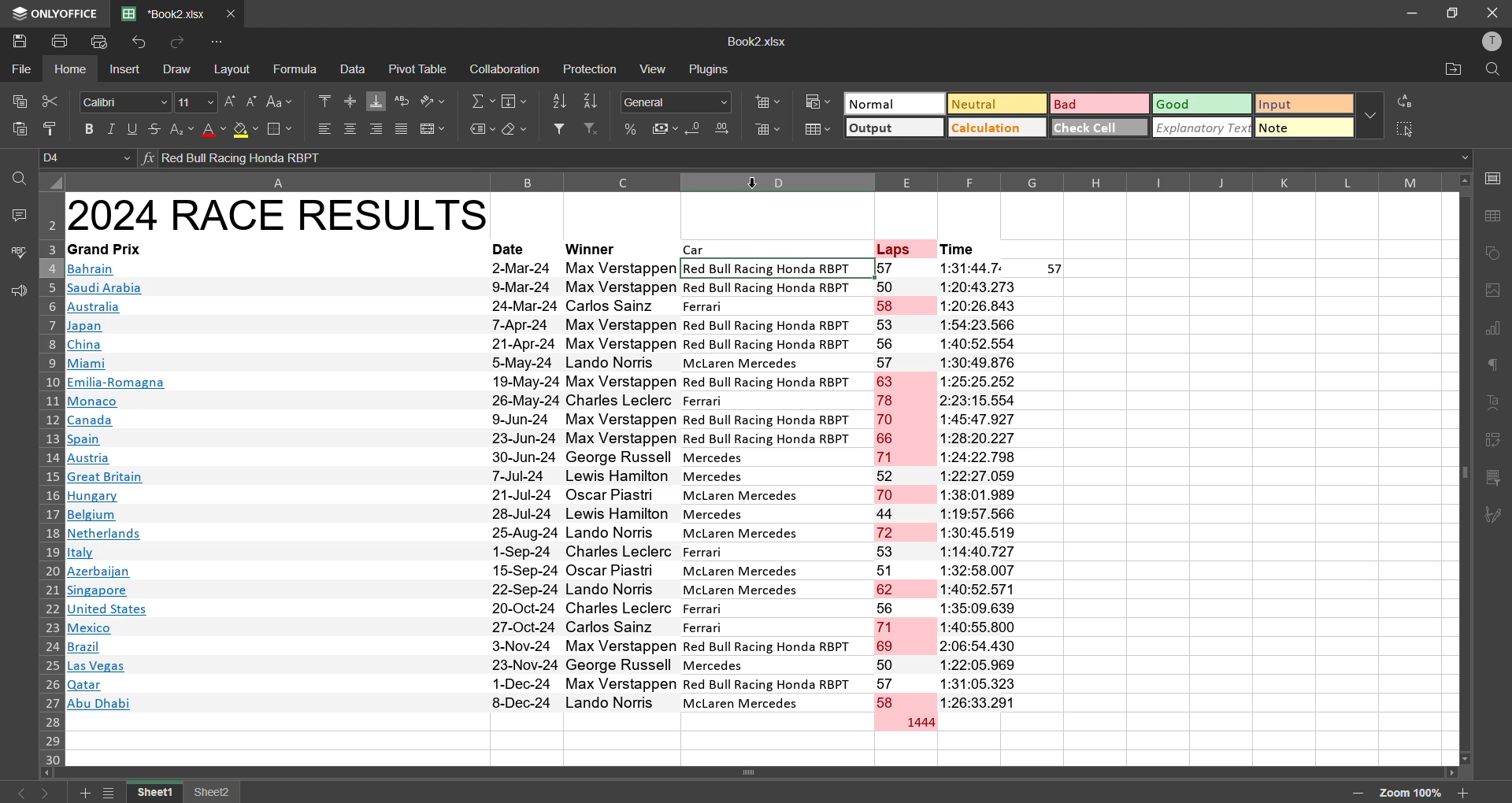 The width and height of the screenshot is (1512, 803). What do you see at coordinates (993, 127) in the screenshot?
I see `calculation` at bounding box center [993, 127].